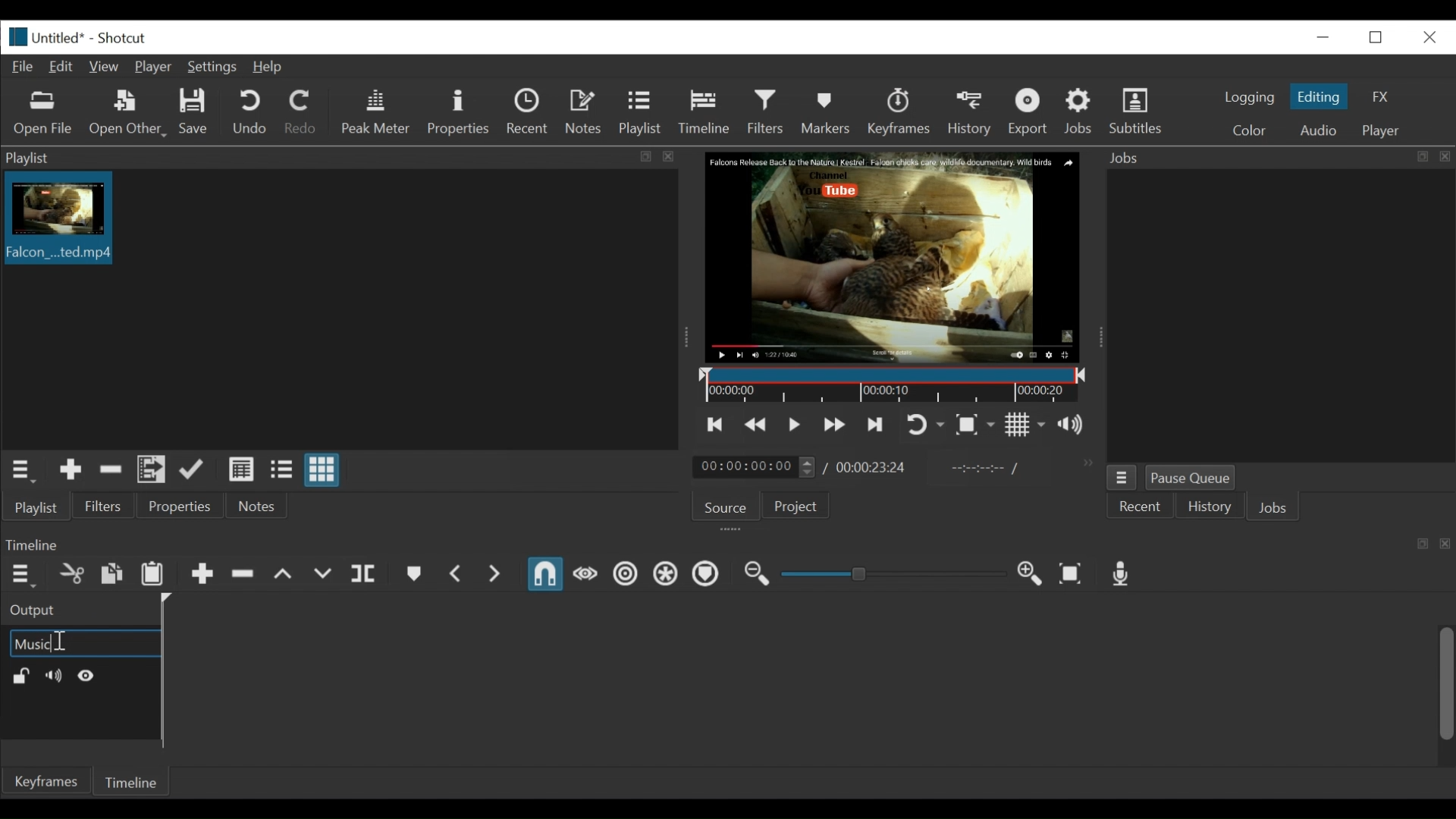  I want to click on Timeline menu, so click(19, 576).